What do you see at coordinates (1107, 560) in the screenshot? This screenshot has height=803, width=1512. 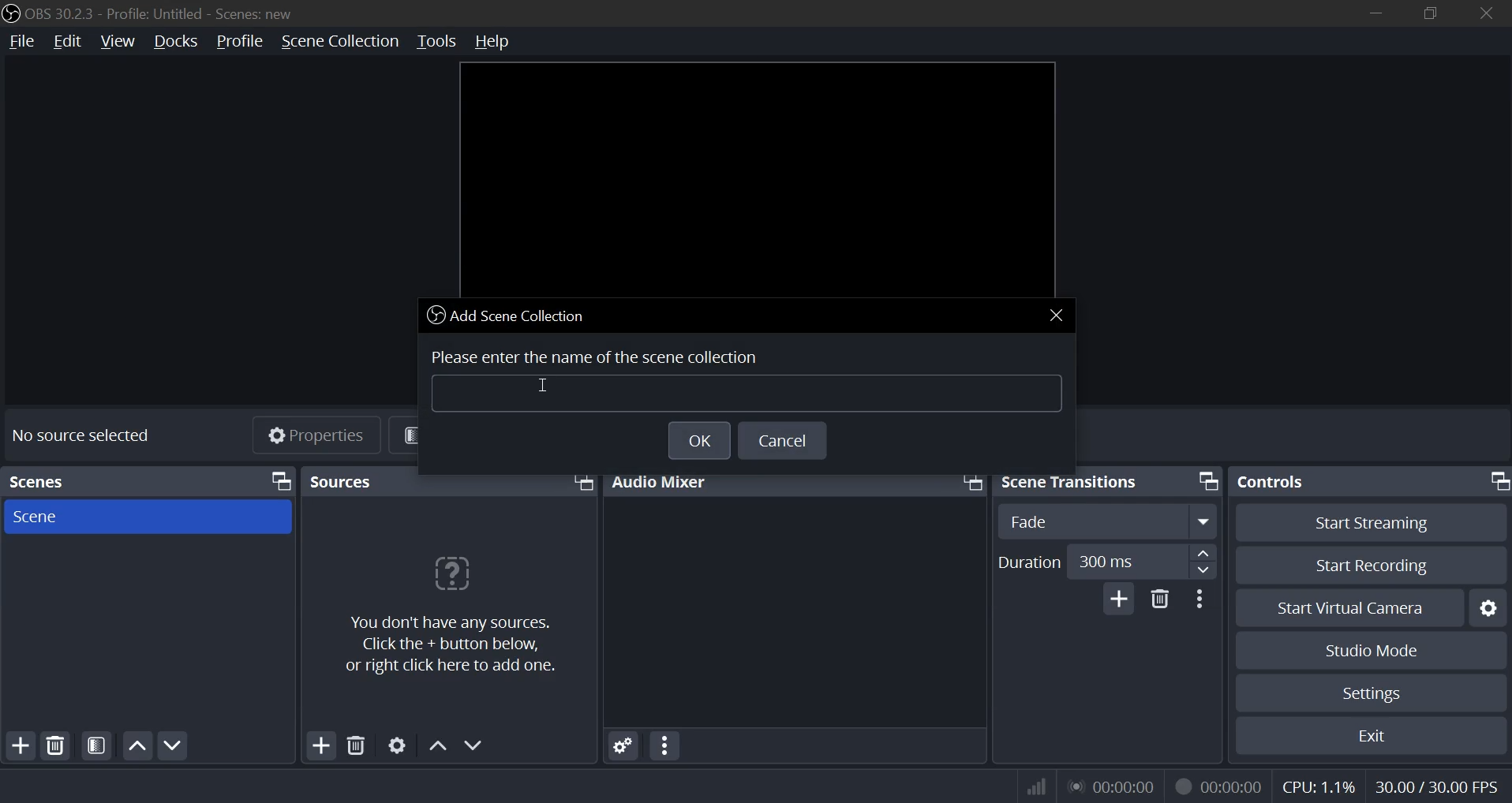 I see `duration number` at bounding box center [1107, 560].